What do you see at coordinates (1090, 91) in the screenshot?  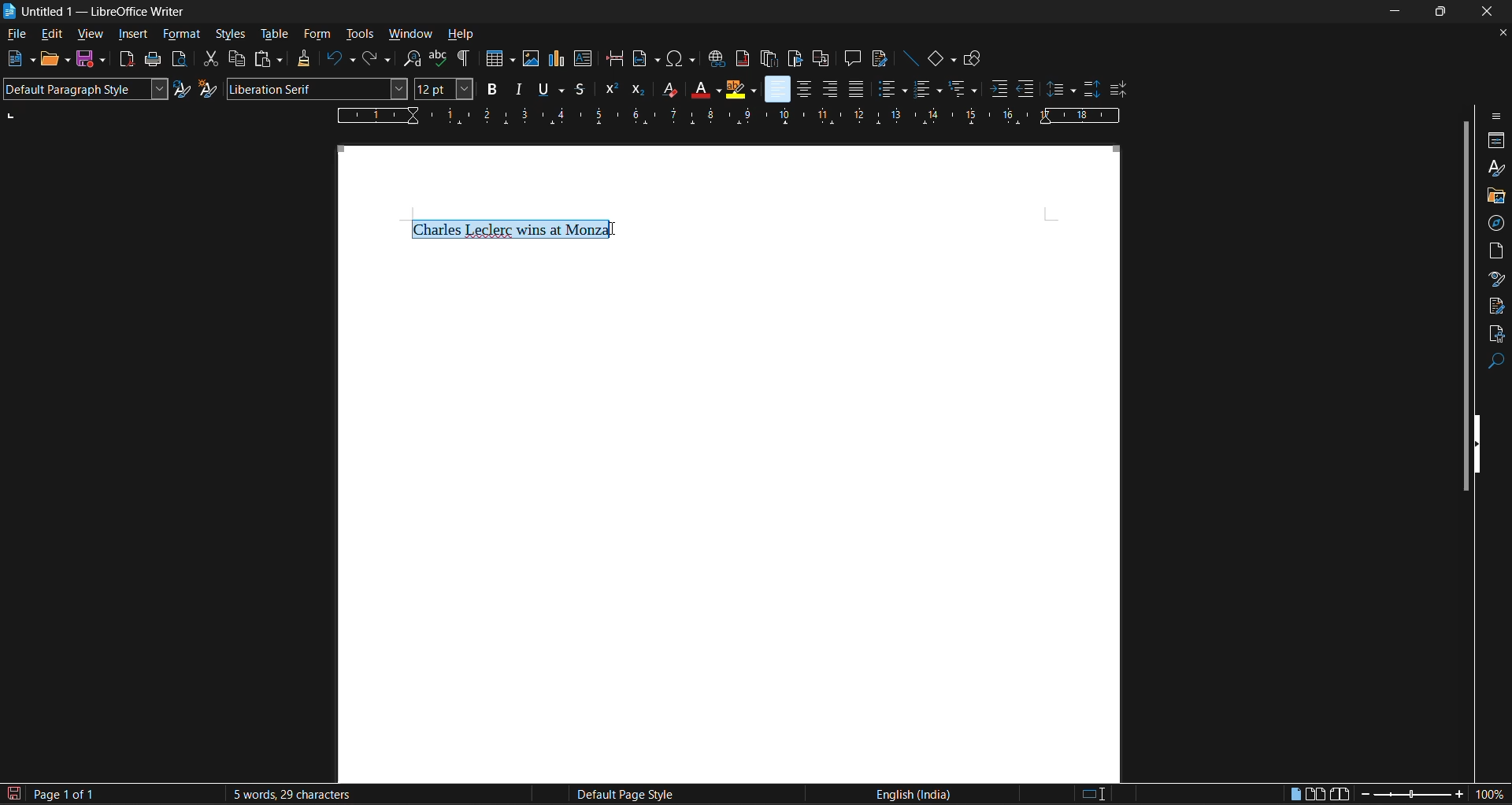 I see `increase paragraph spacing` at bounding box center [1090, 91].